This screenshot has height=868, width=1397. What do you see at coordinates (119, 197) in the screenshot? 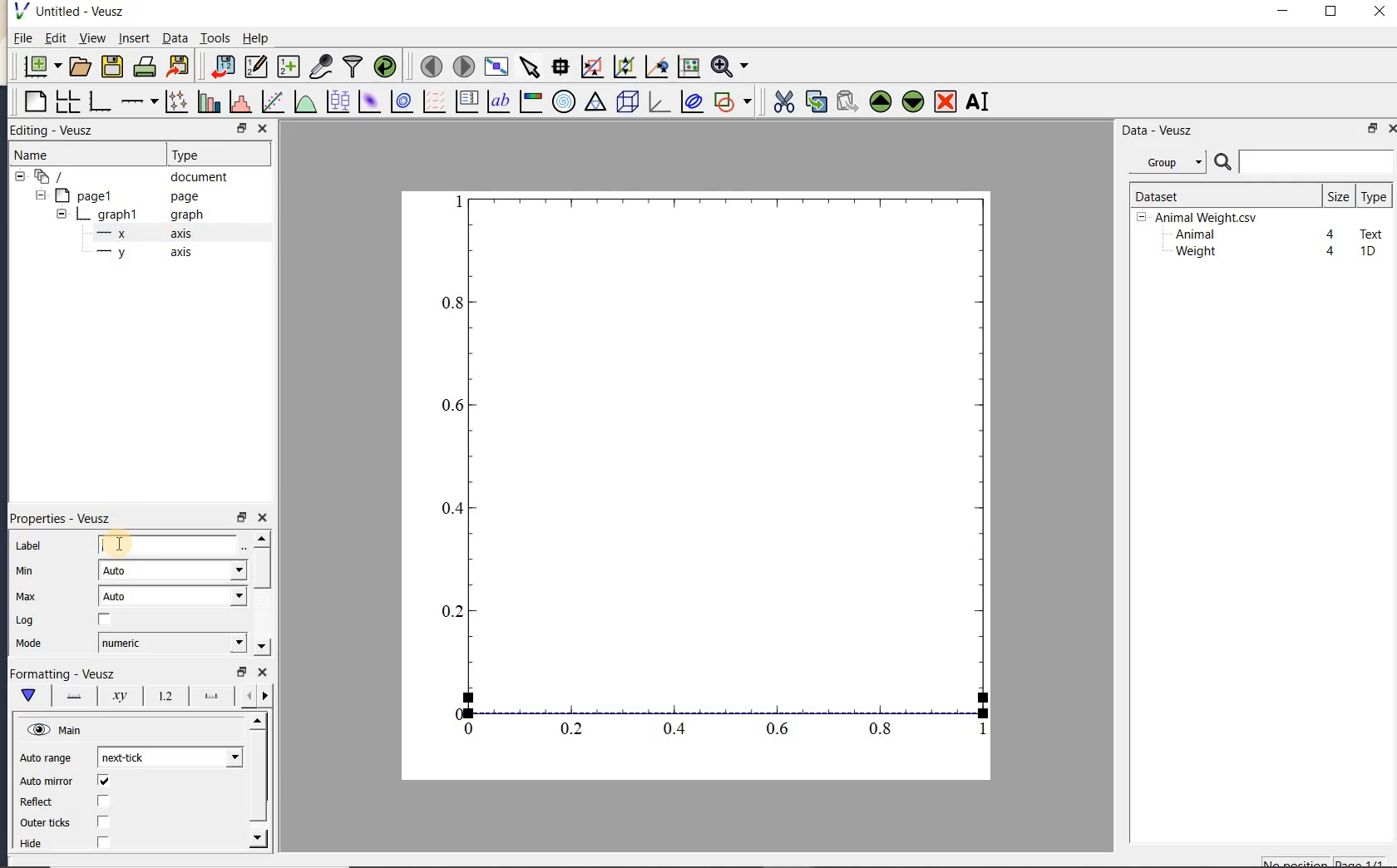
I see `page1` at bounding box center [119, 197].